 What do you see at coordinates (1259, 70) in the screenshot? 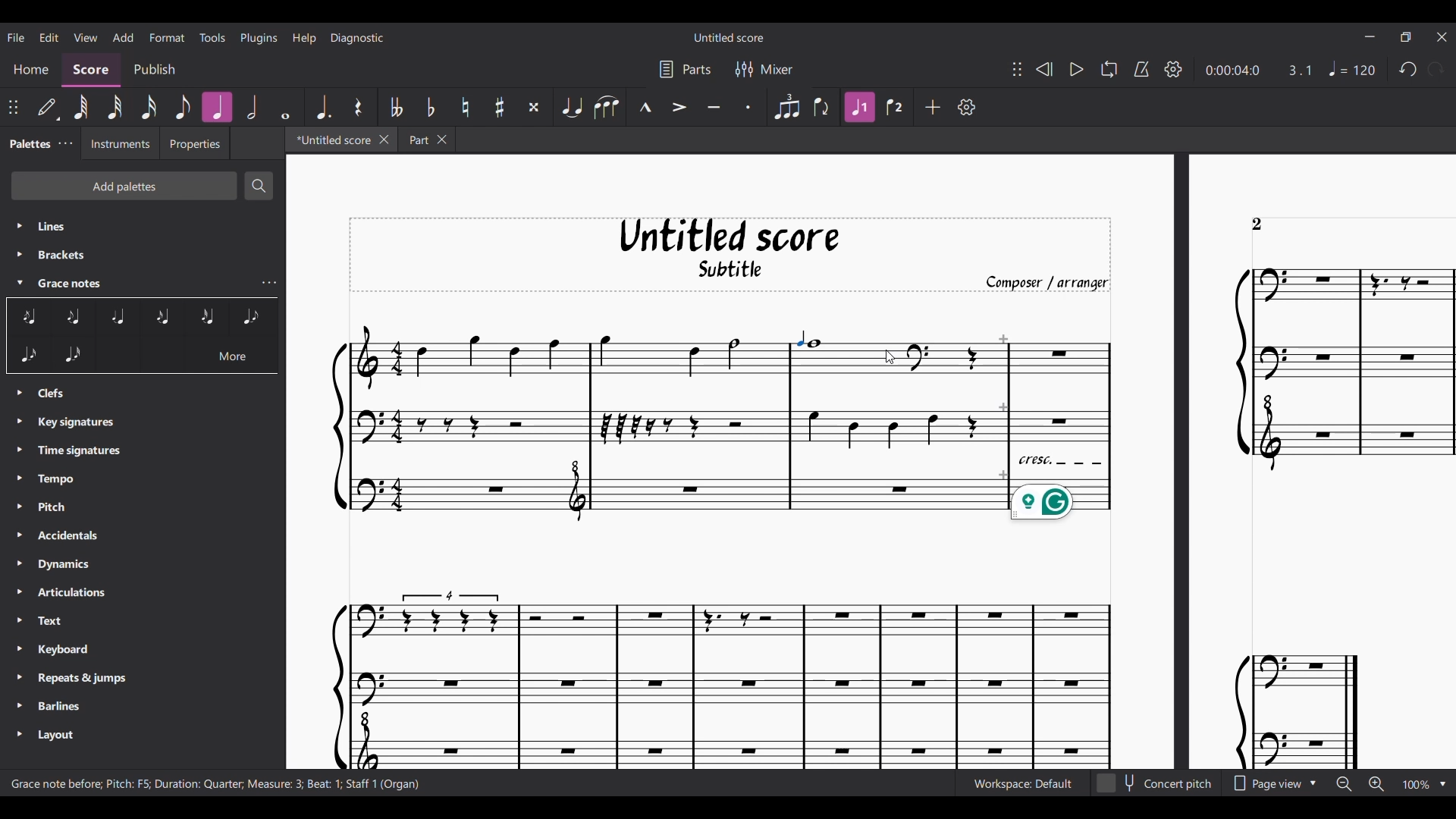
I see `Current duration and ratio changed` at bounding box center [1259, 70].